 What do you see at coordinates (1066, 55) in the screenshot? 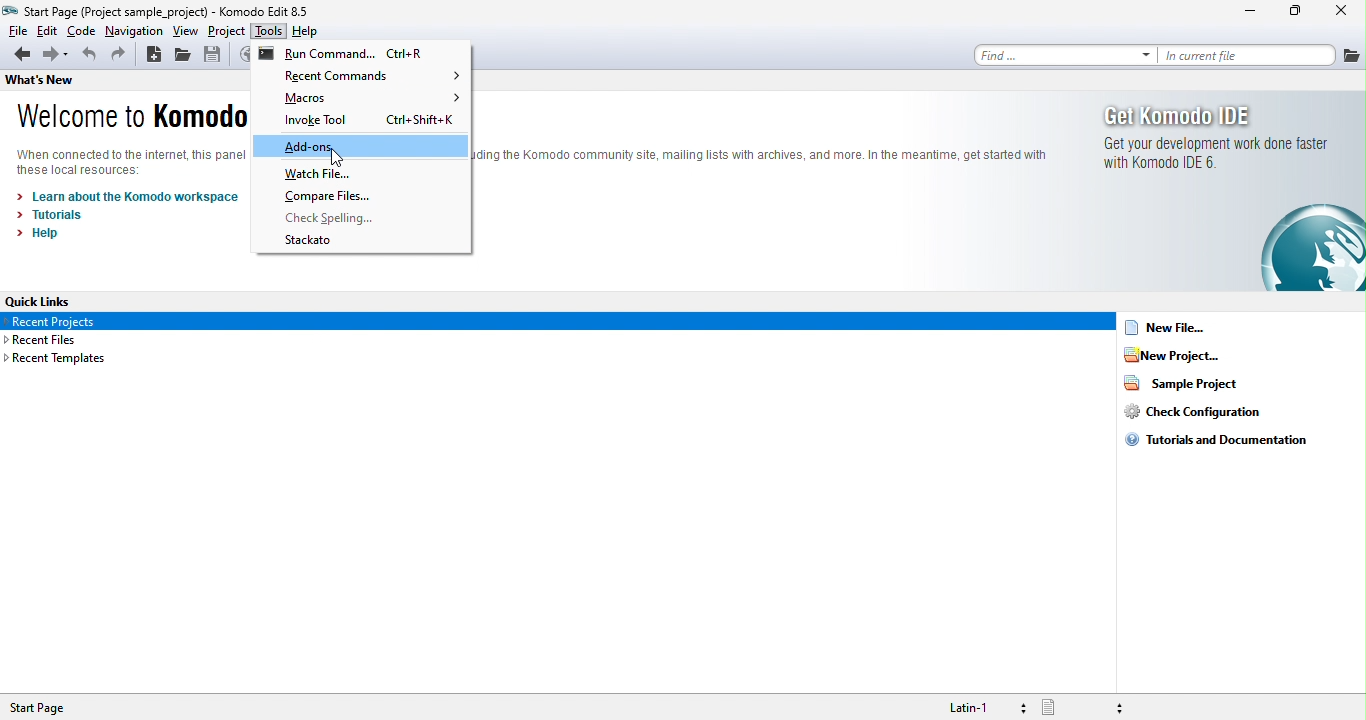
I see `find` at bounding box center [1066, 55].